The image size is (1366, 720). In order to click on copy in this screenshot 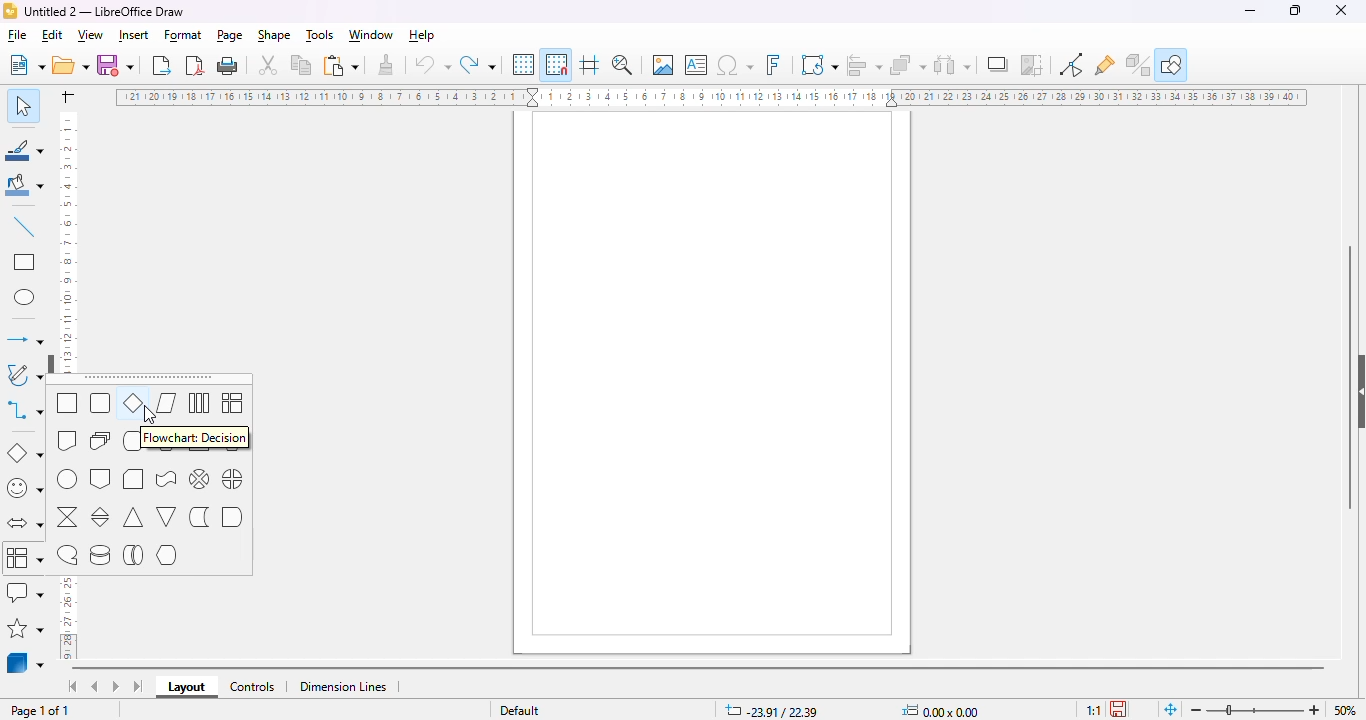, I will do `click(302, 65)`.